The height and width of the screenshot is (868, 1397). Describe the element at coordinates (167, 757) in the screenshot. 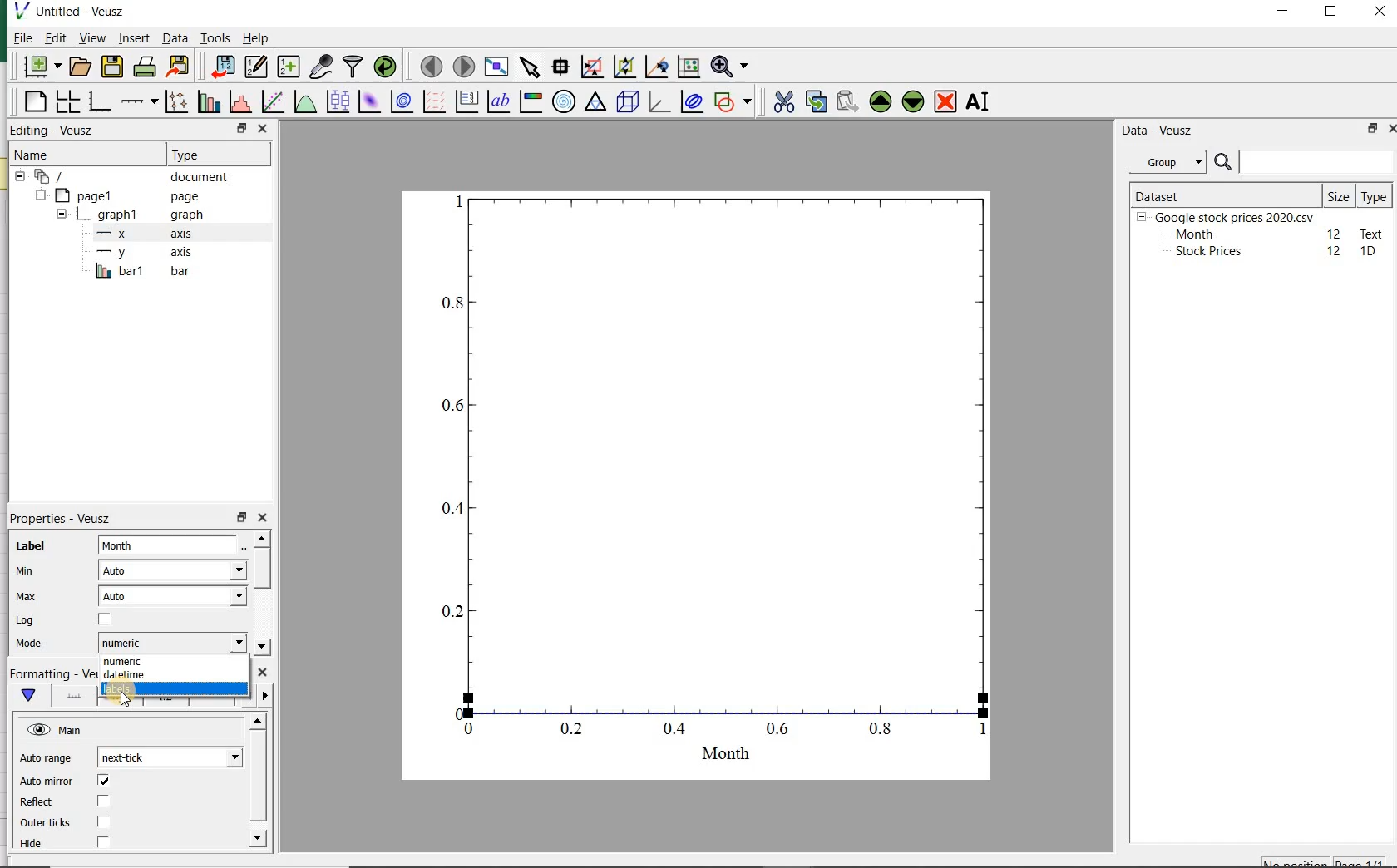

I see `next tick` at that location.